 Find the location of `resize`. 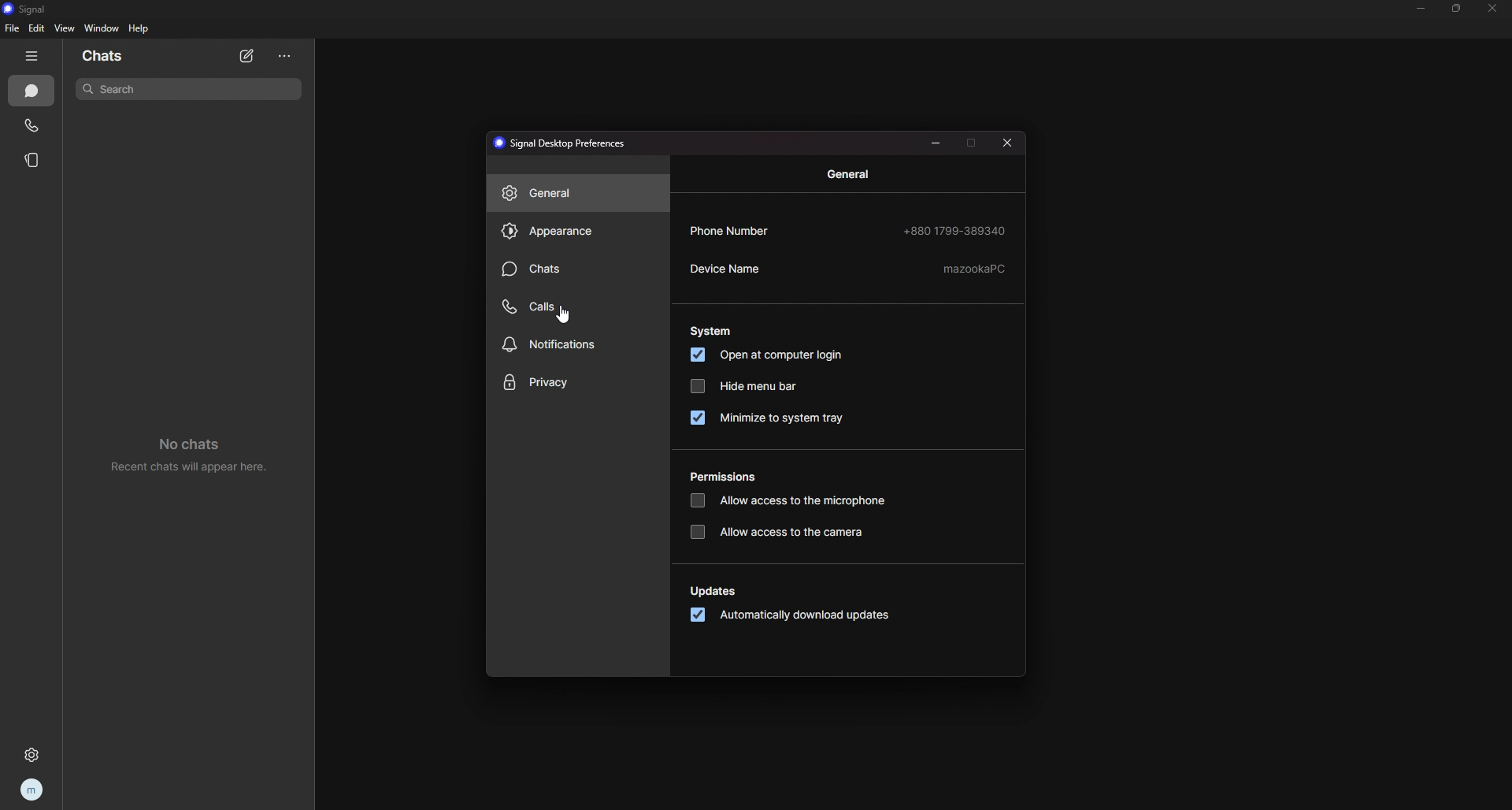

resize is located at coordinates (1457, 9).